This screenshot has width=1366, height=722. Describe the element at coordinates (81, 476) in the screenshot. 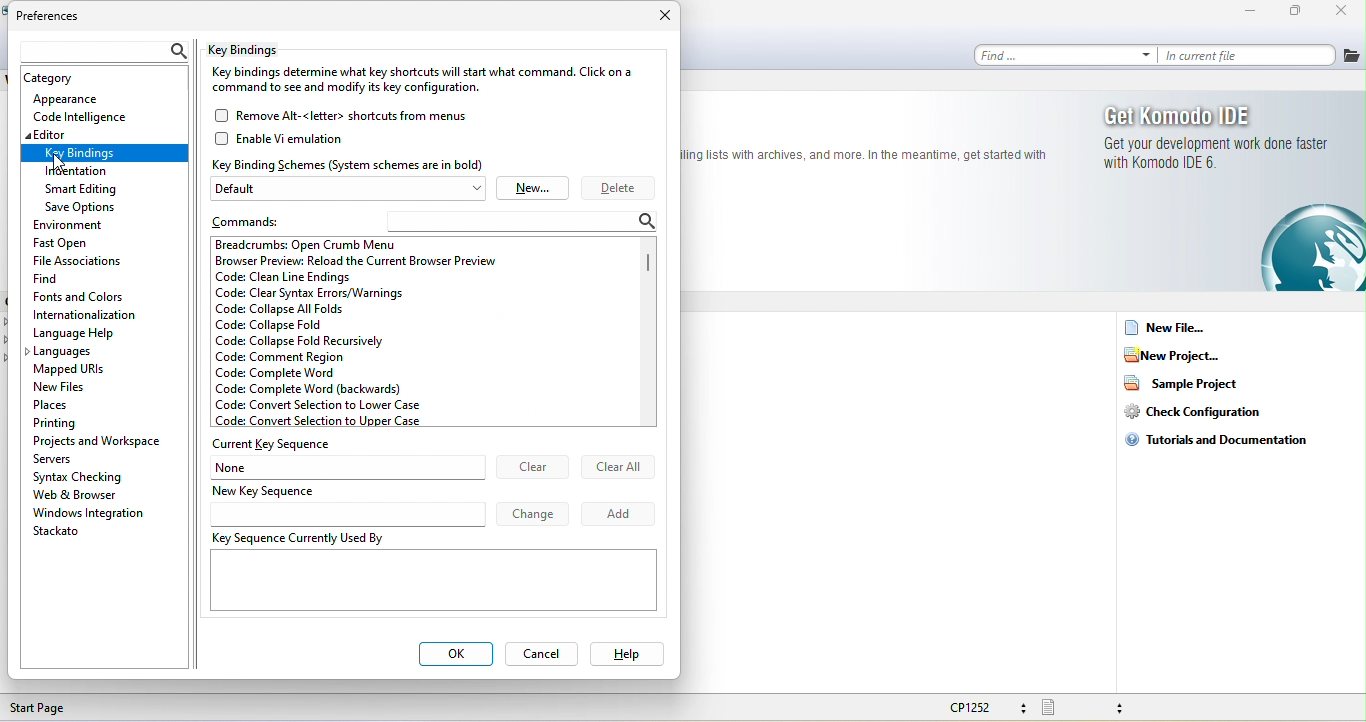

I see `syntax checking` at that location.